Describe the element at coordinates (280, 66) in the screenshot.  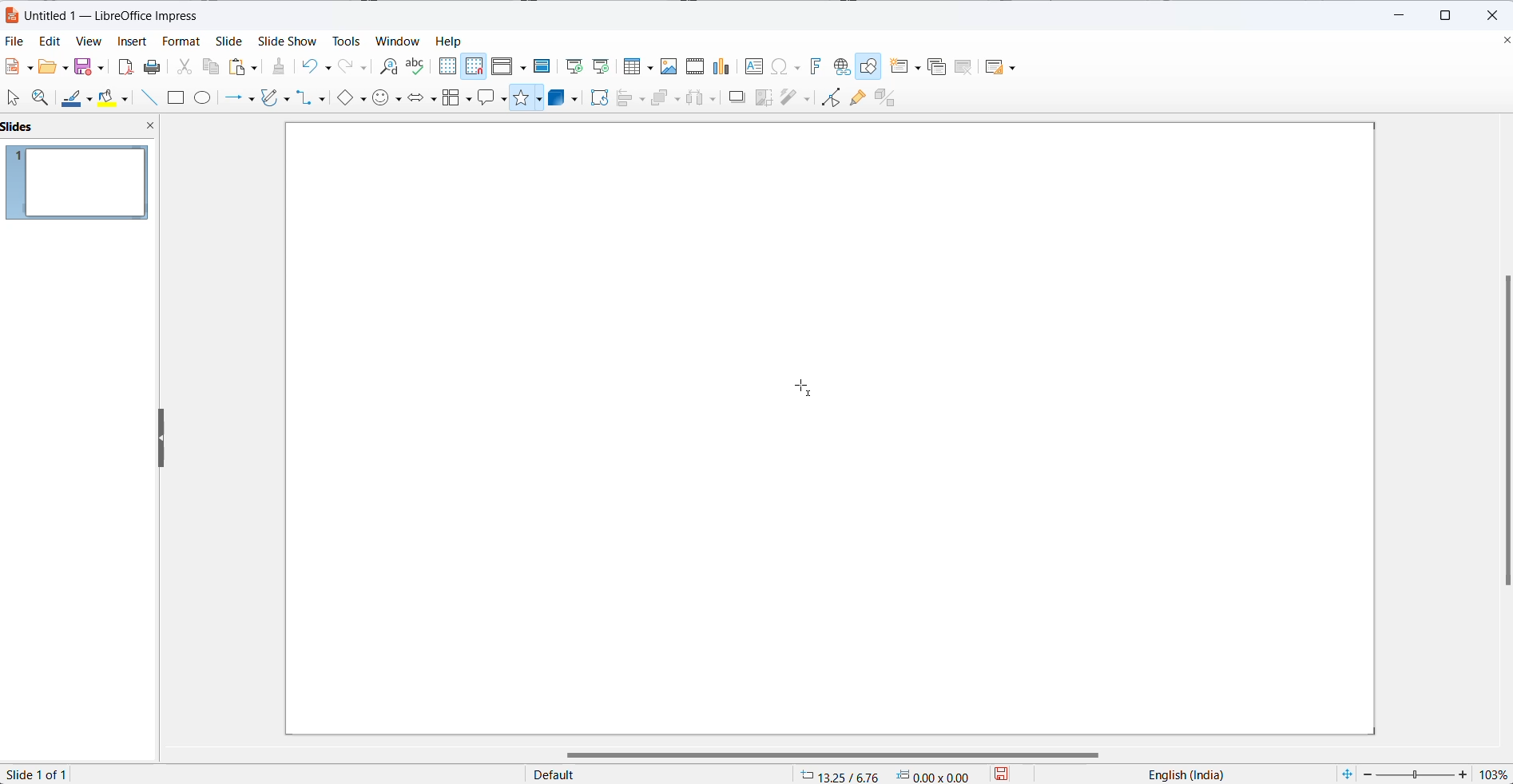
I see `clone formatting` at that location.